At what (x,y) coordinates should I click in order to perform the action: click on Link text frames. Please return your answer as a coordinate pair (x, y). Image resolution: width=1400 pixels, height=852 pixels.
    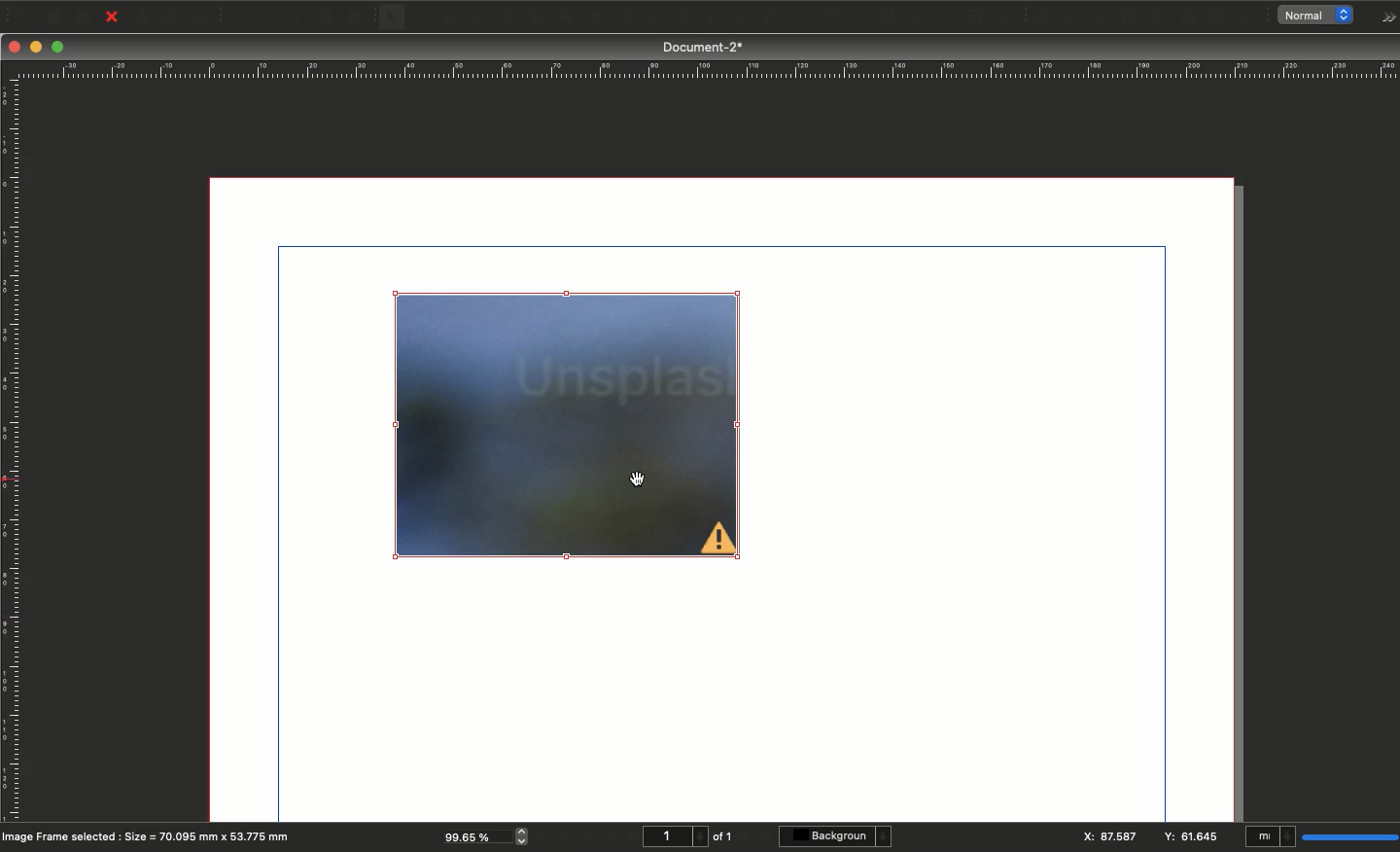
    Looking at the image, I should click on (880, 17).